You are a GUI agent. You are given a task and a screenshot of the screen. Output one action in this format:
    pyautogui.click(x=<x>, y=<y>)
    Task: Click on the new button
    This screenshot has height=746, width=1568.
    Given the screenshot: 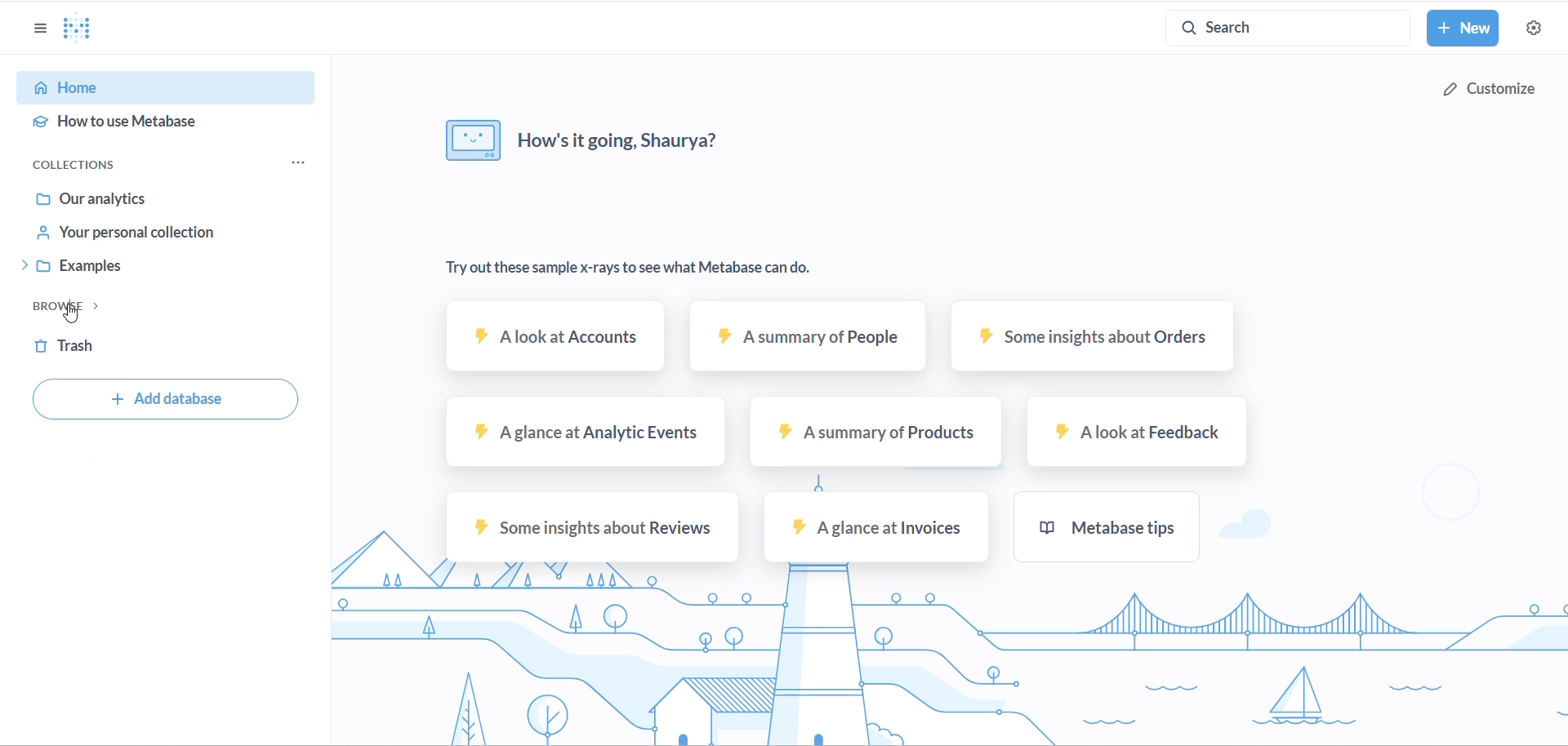 What is the action you would take?
    pyautogui.click(x=1461, y=30)
    